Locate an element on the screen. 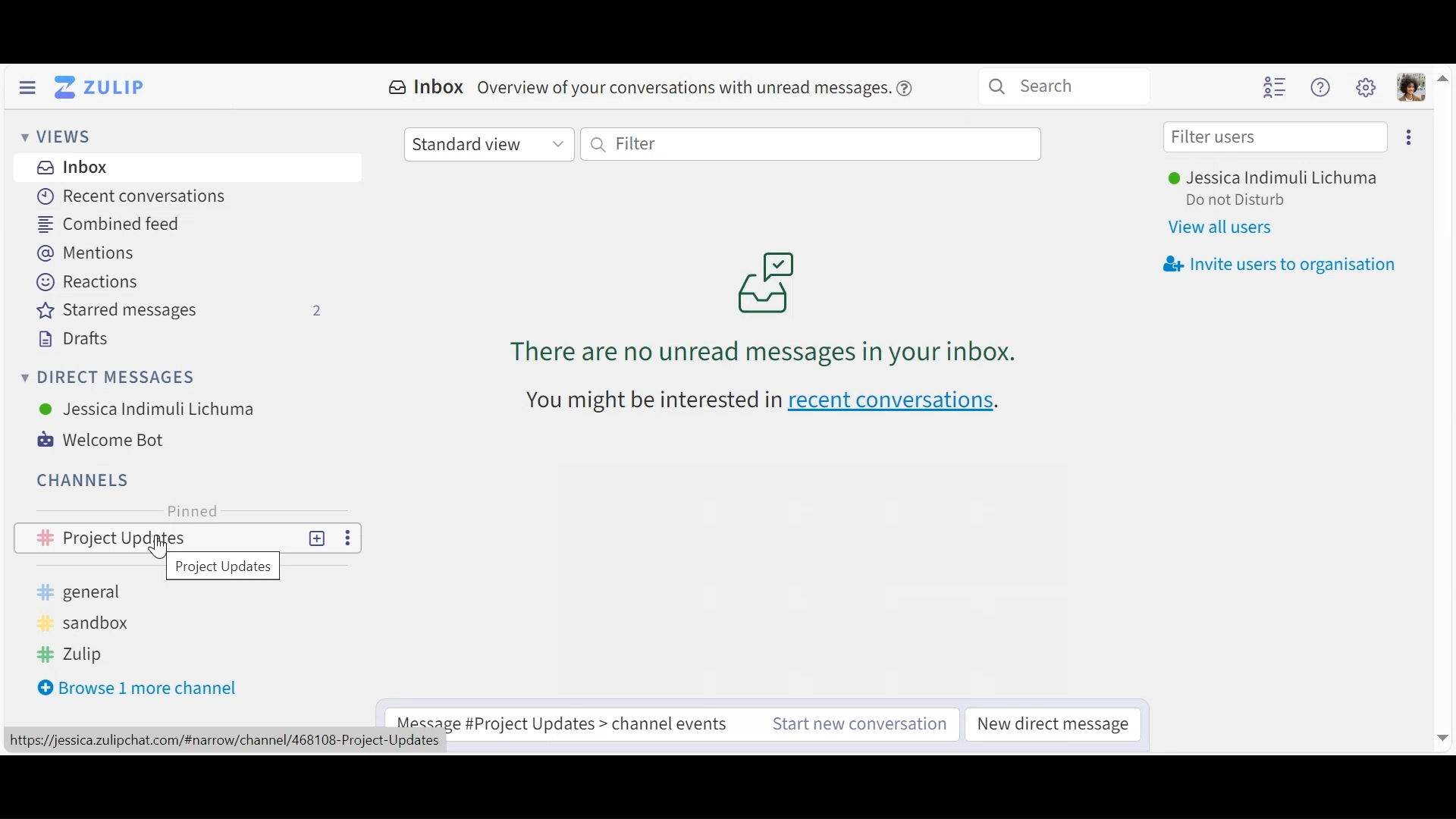 This screenshot has height=819, width=1456. Do not Disturb is located at coordinates (1235, 201).